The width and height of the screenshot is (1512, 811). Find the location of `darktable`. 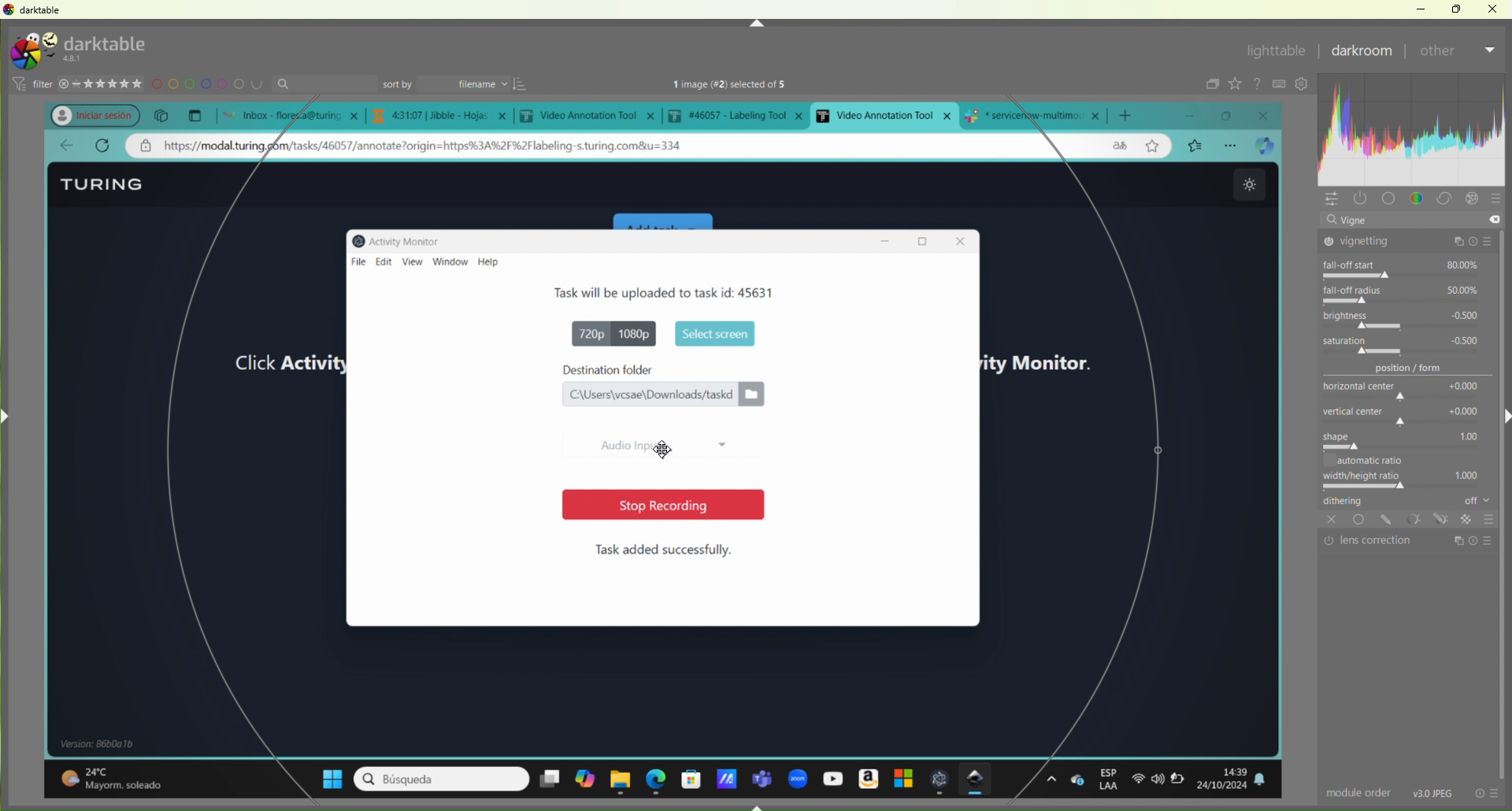

darktable is located at coordinates (978, 780).